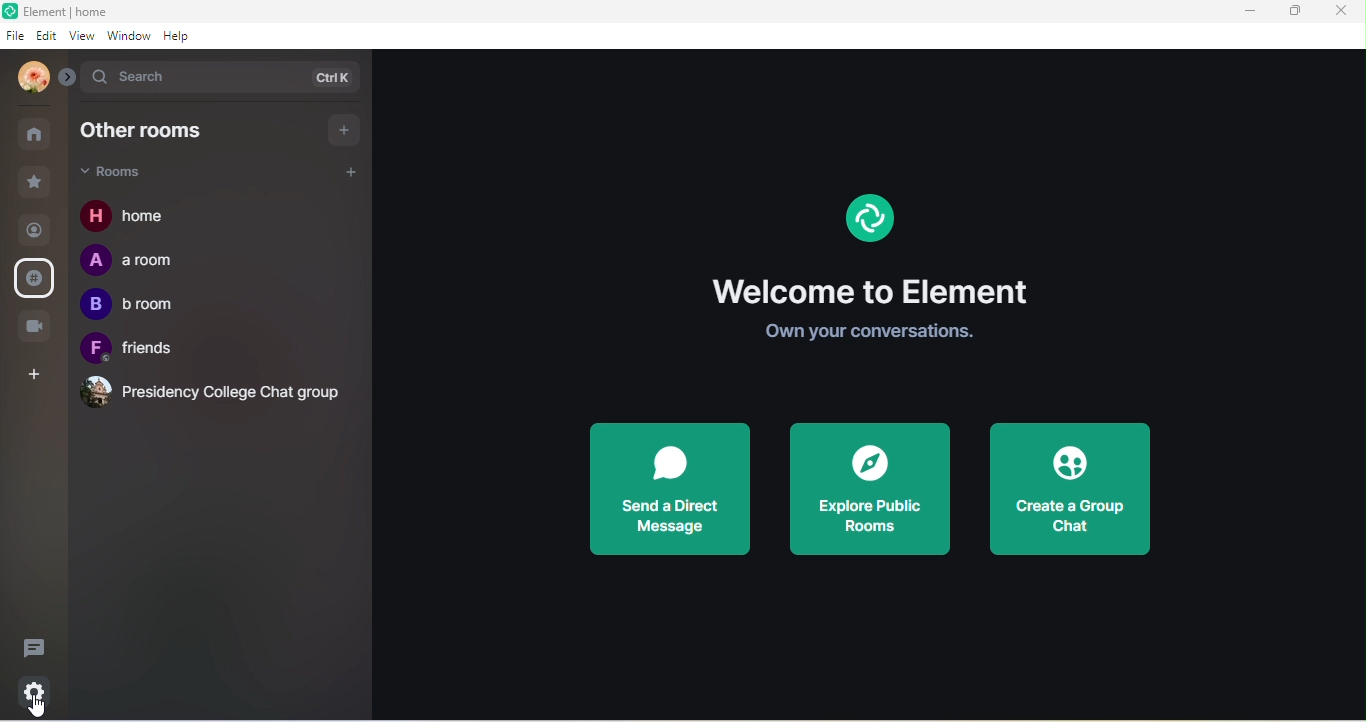  I want to click on rooms, so click(129, 174).